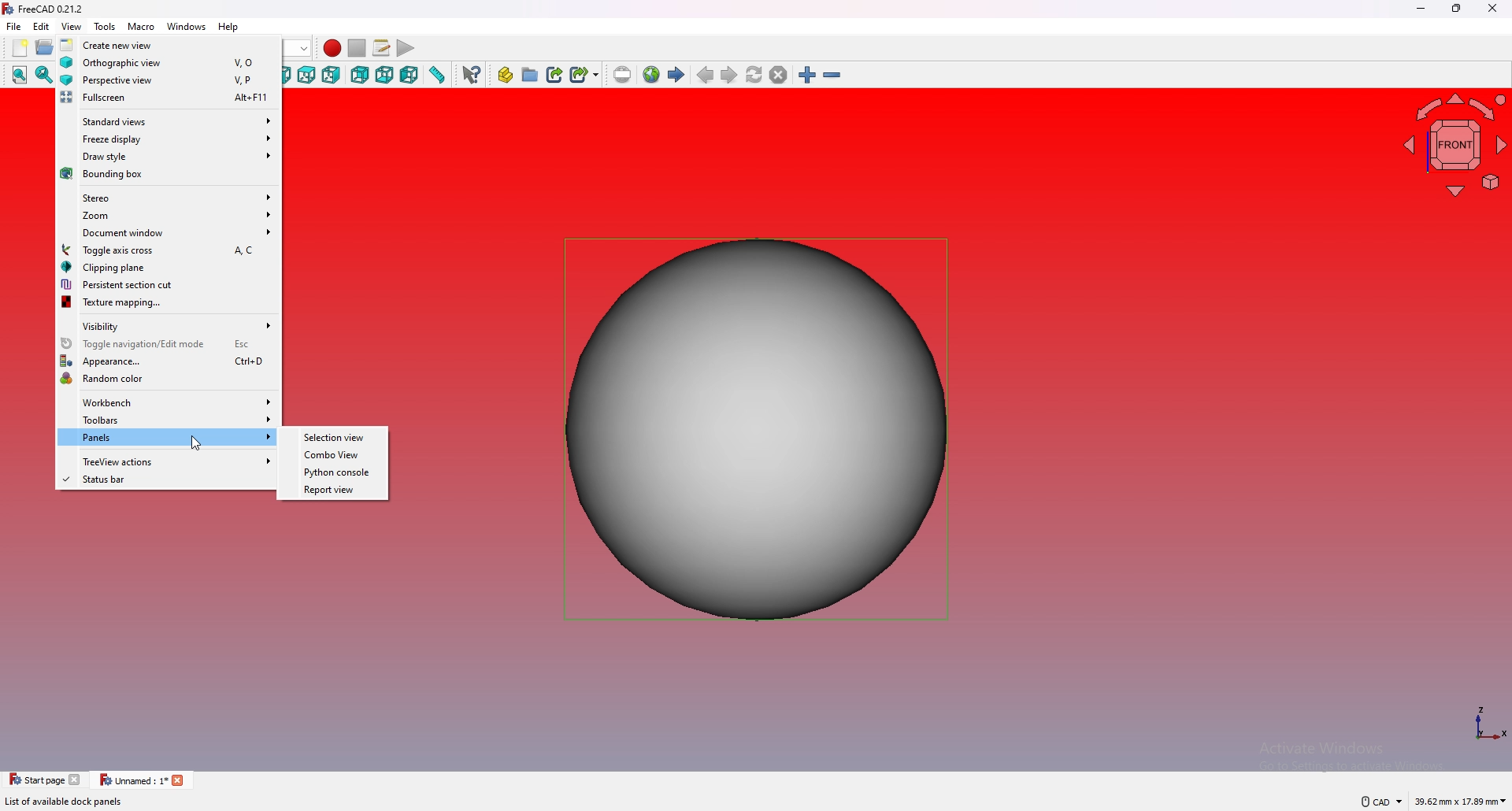 The height and width of the screenshot is (811, 1512). Describe the element at coordinates (169, 156) in the screenshot. I see `draw style` at that location.